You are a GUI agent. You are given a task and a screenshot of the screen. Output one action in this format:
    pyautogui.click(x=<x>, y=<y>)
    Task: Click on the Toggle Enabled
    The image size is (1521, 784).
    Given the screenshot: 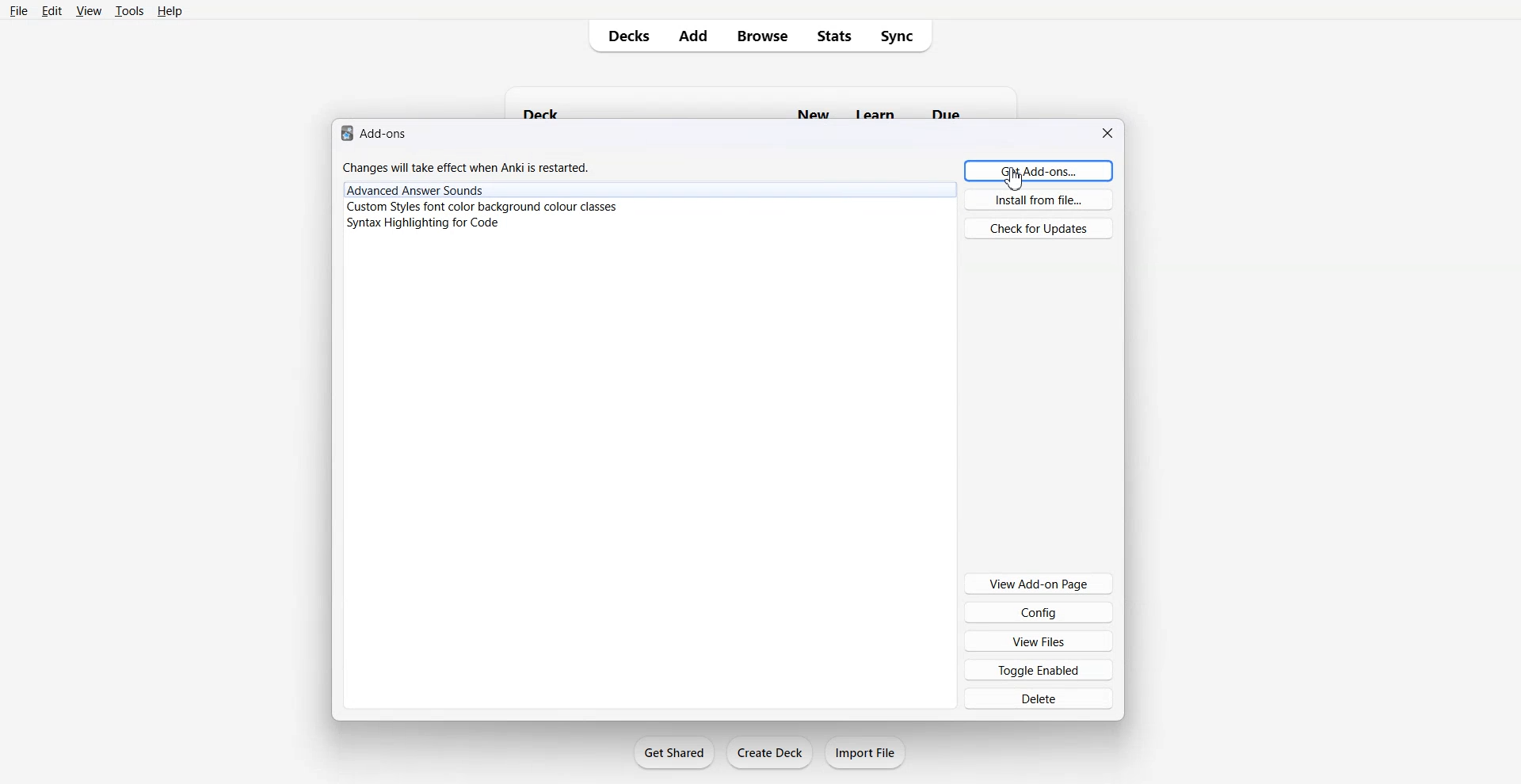 What is the action you would take?
    pyautogui.click(x=1039, y=669)
    